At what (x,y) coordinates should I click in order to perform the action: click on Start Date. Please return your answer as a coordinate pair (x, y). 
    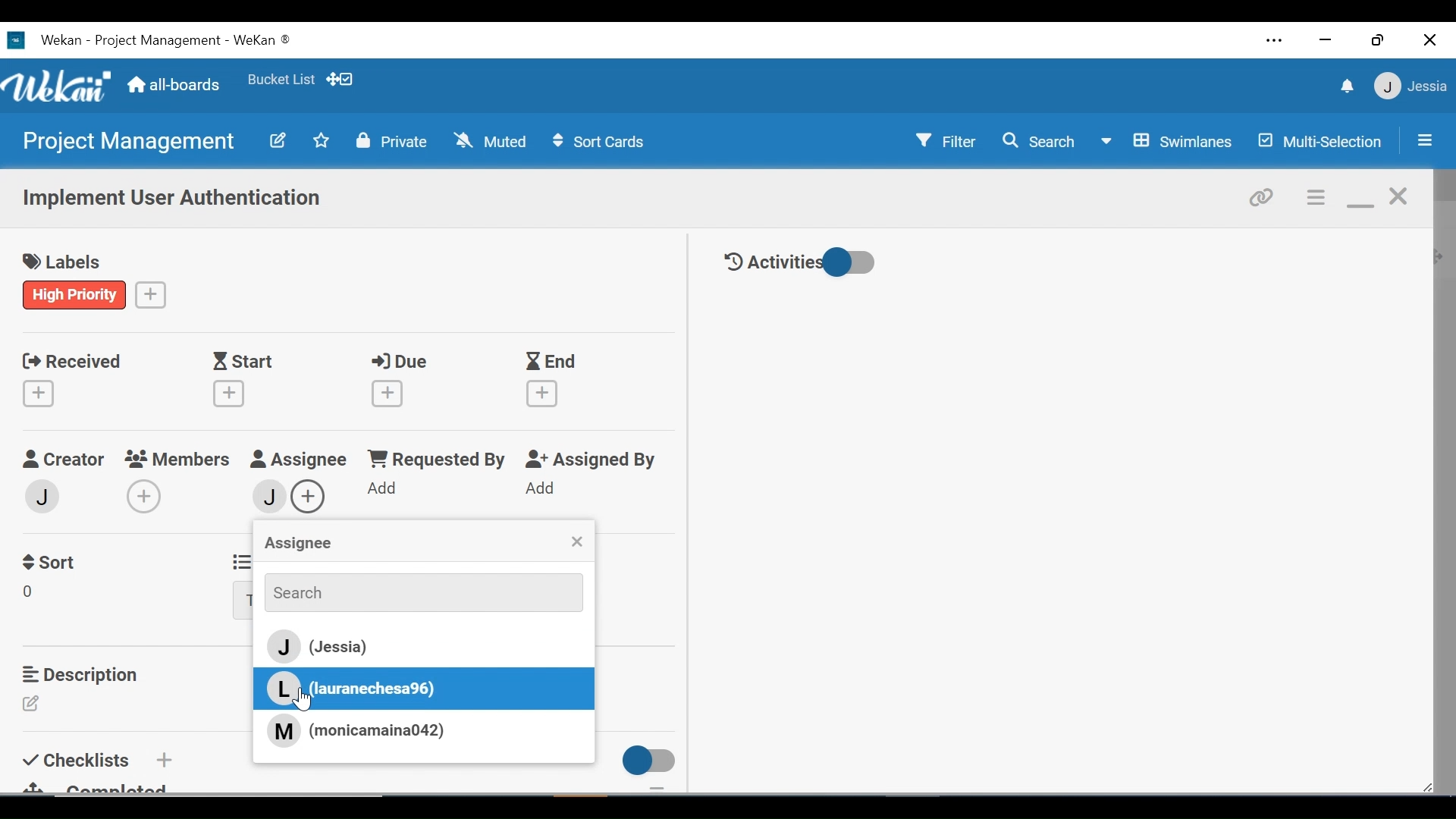
    Looking at the image, I should click on (246, 362).